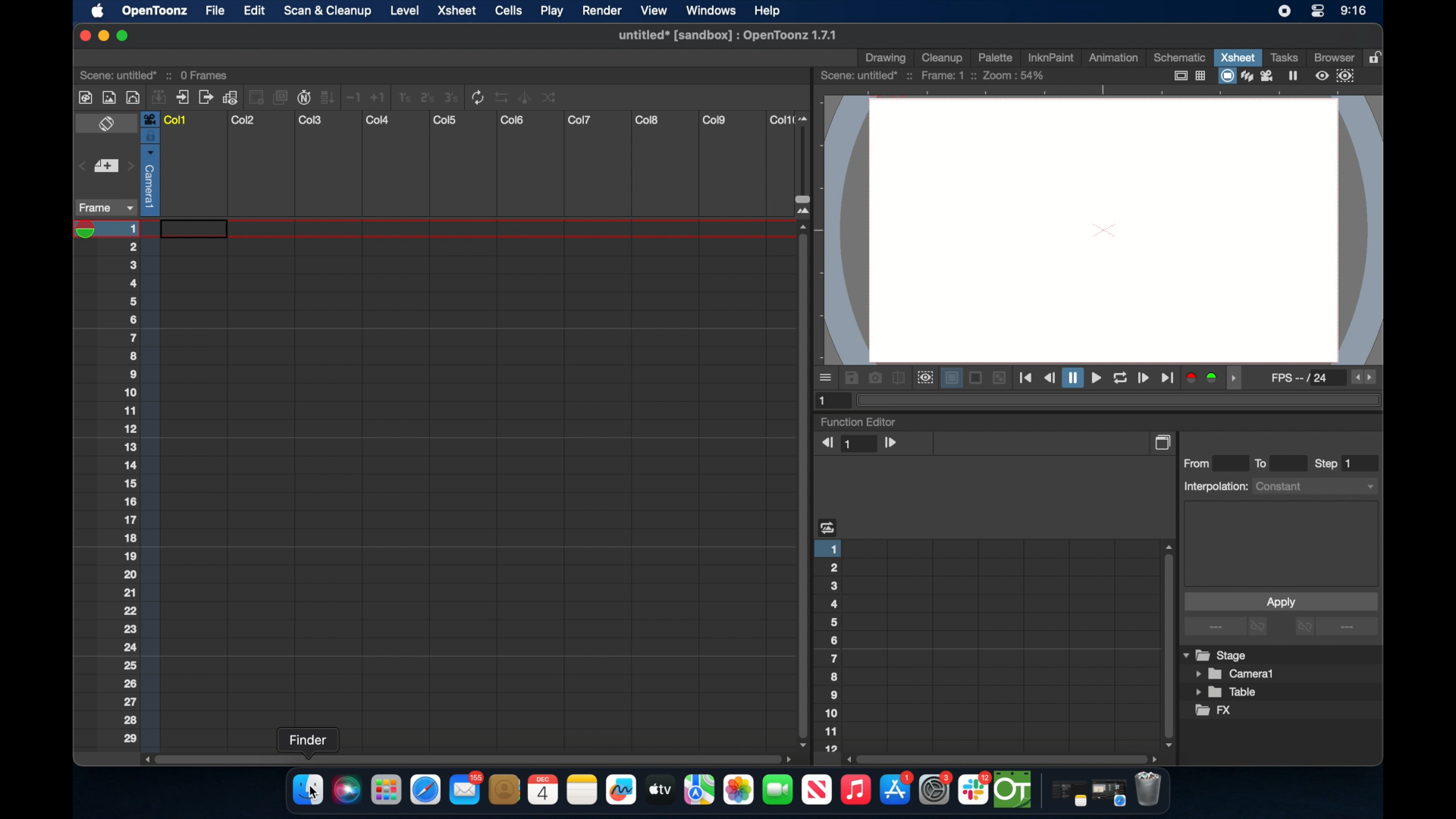  Describe the element at coordinates (318, 792) in the screenshot. I see `cursor` at that location.